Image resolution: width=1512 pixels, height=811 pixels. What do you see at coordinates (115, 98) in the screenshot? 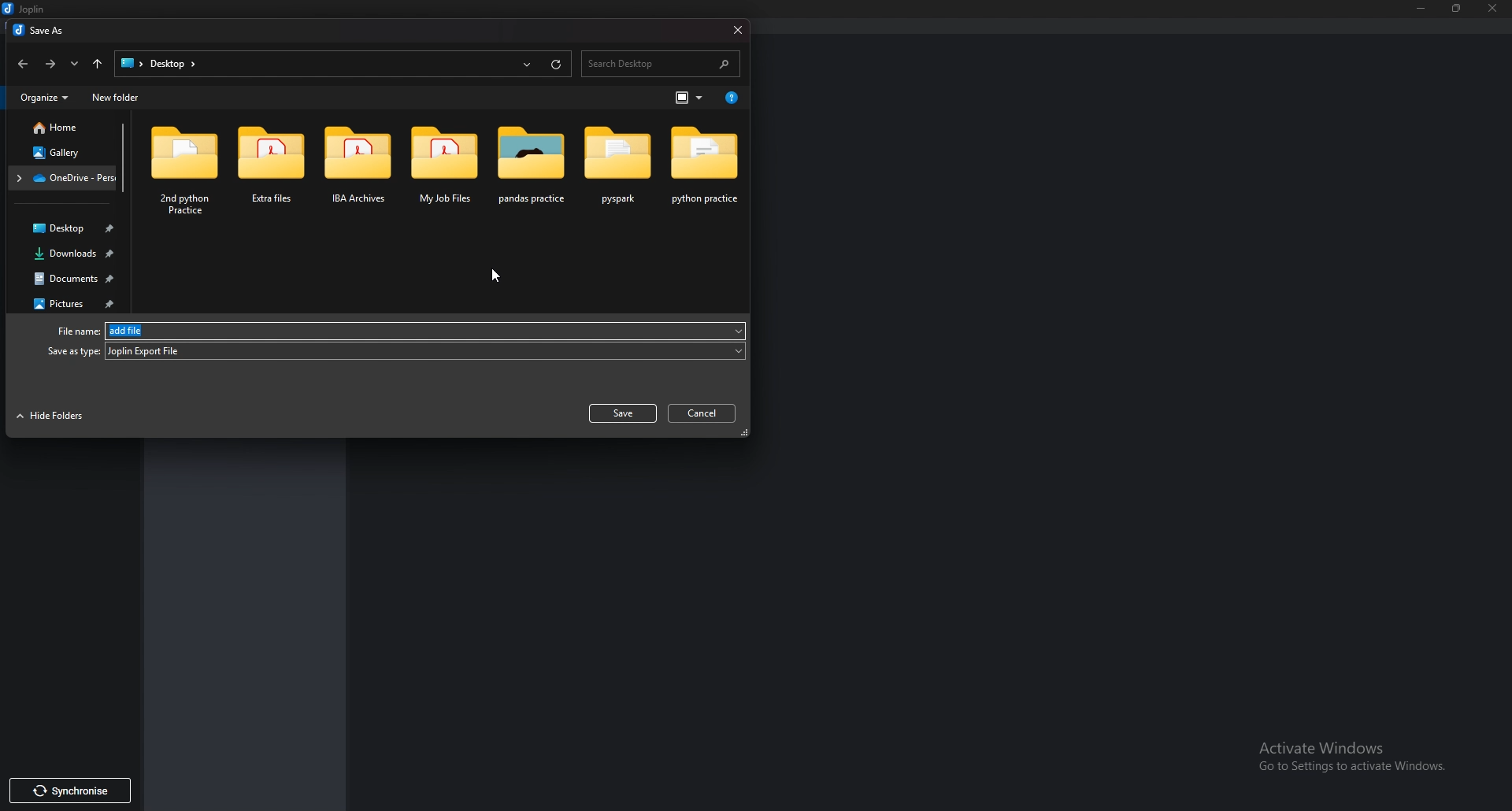
I see `New folder` at bounding box center [115, 98].